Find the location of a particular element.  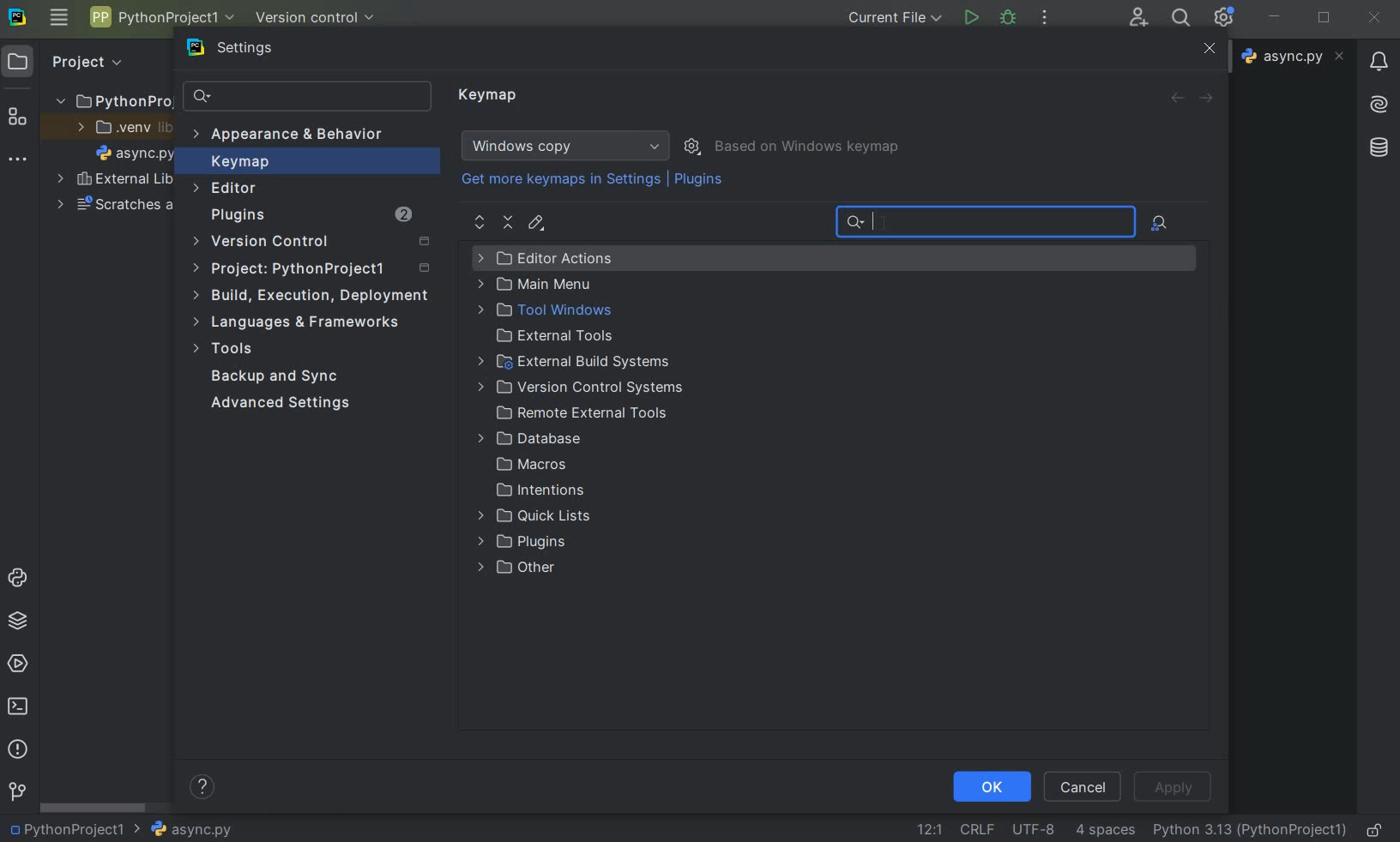

services is located at coordinates (20, 663).